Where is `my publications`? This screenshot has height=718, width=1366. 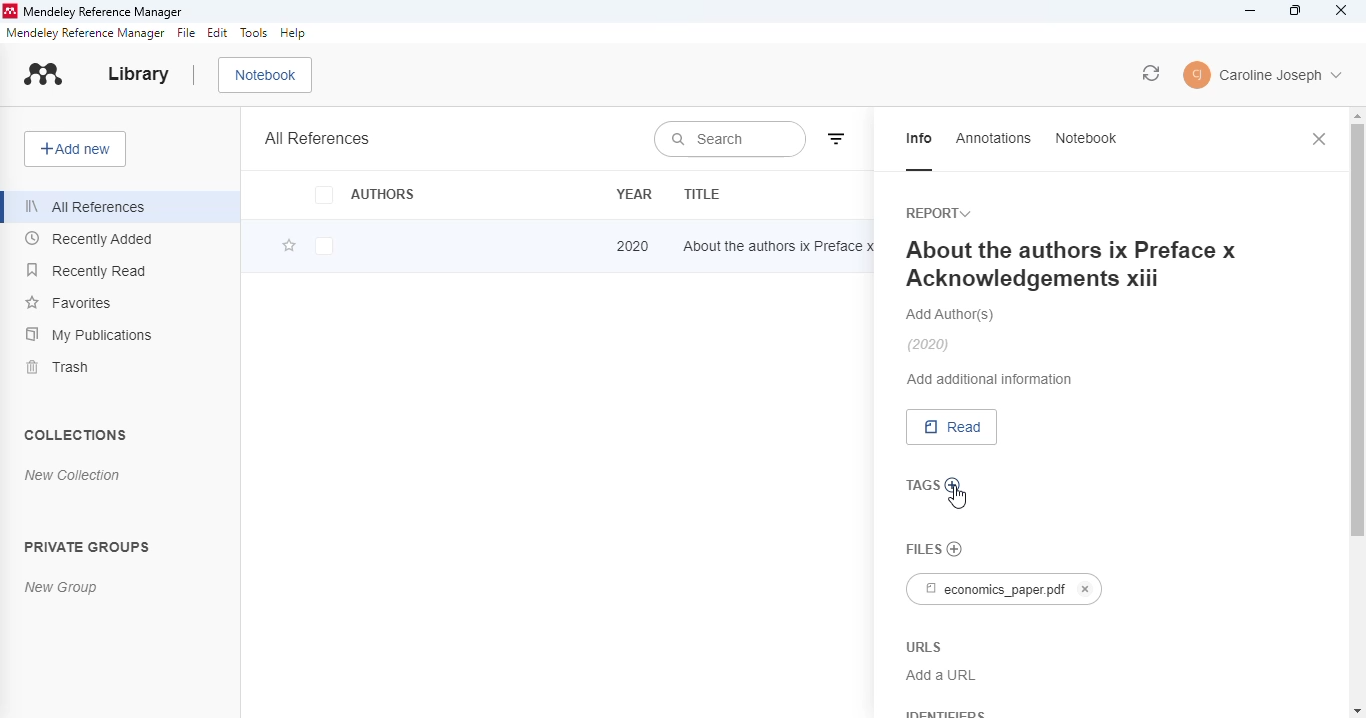
my publications is located at coordinates (88, 333).